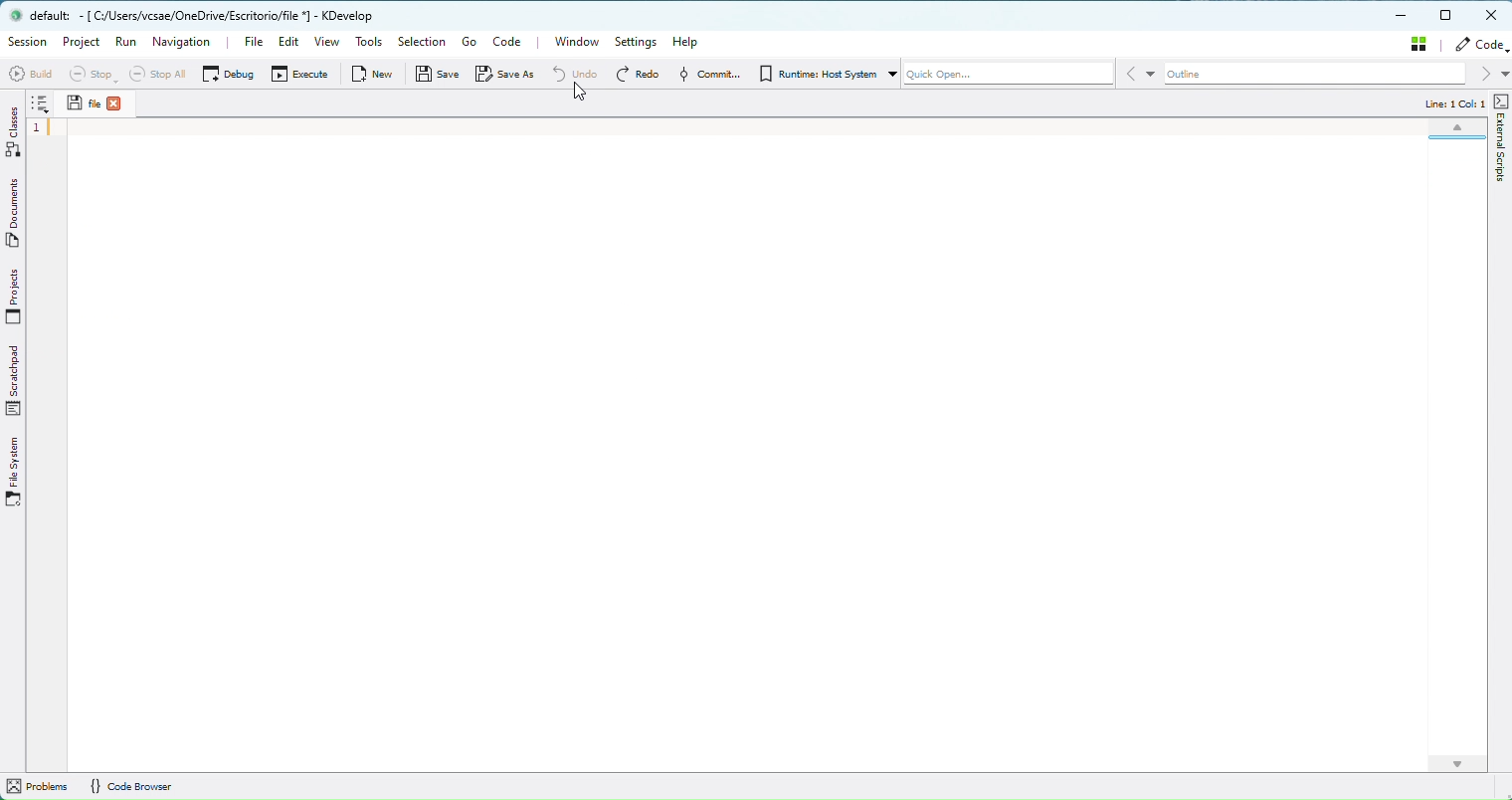 The image size is (1512, 800). What do you see at coordinates (645, 77) in the screenshot?
I see `Redo` at bounding box center [645, 77].